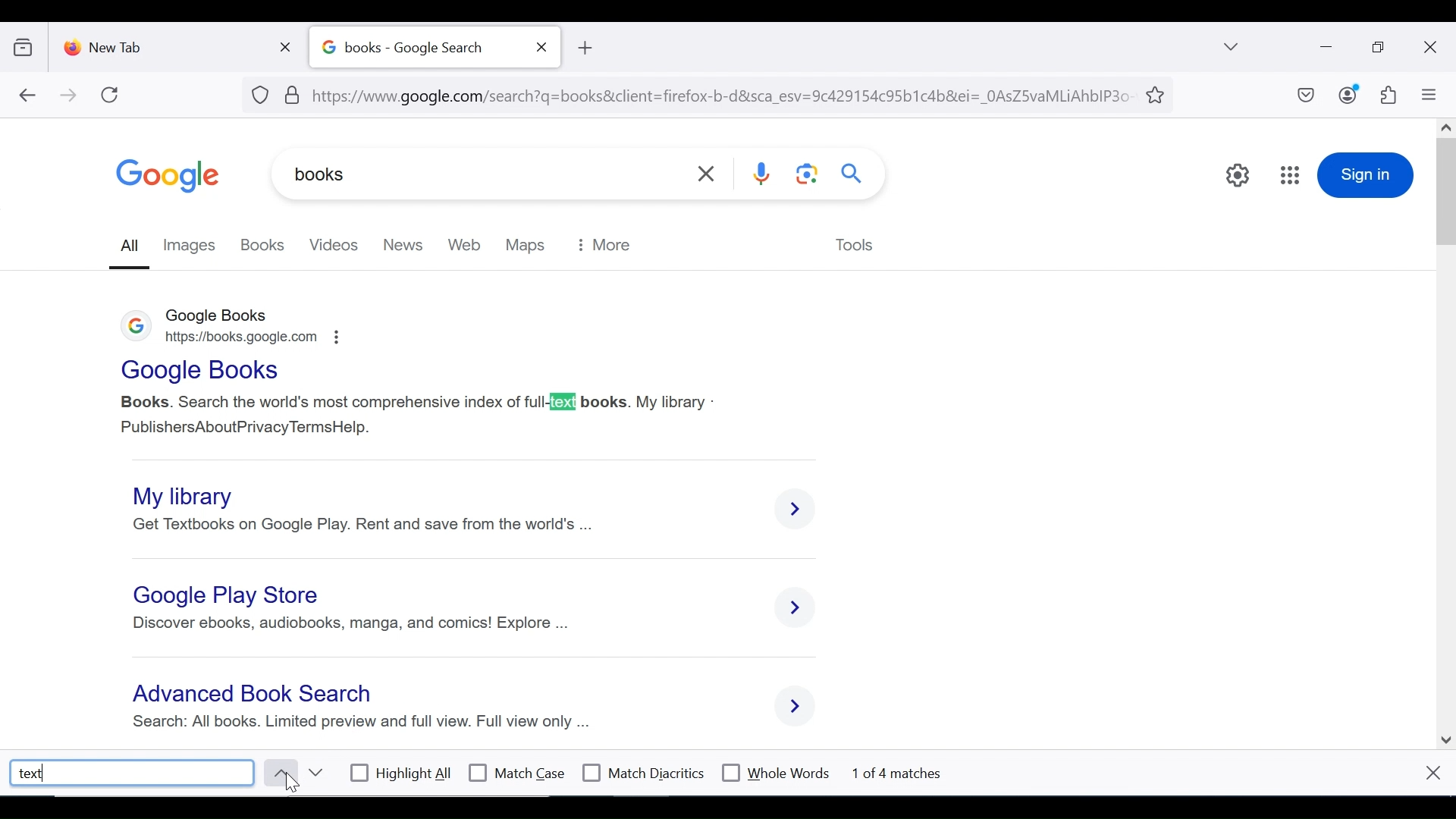 The height and width of the screenshot is (819, 1456). I want to click on close window, so click(1431, 48).